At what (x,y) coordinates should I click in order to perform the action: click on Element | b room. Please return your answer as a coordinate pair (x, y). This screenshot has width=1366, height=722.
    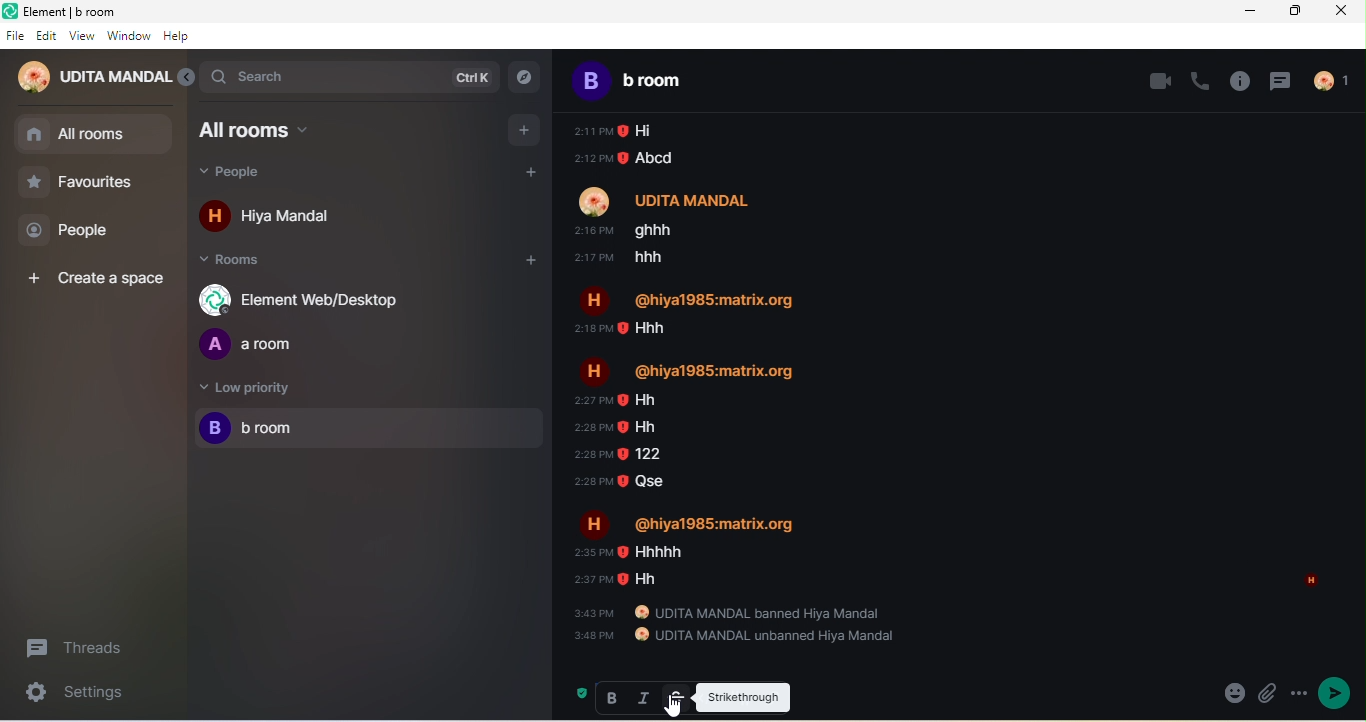
    Looking at the image, I should click on (78, 10).